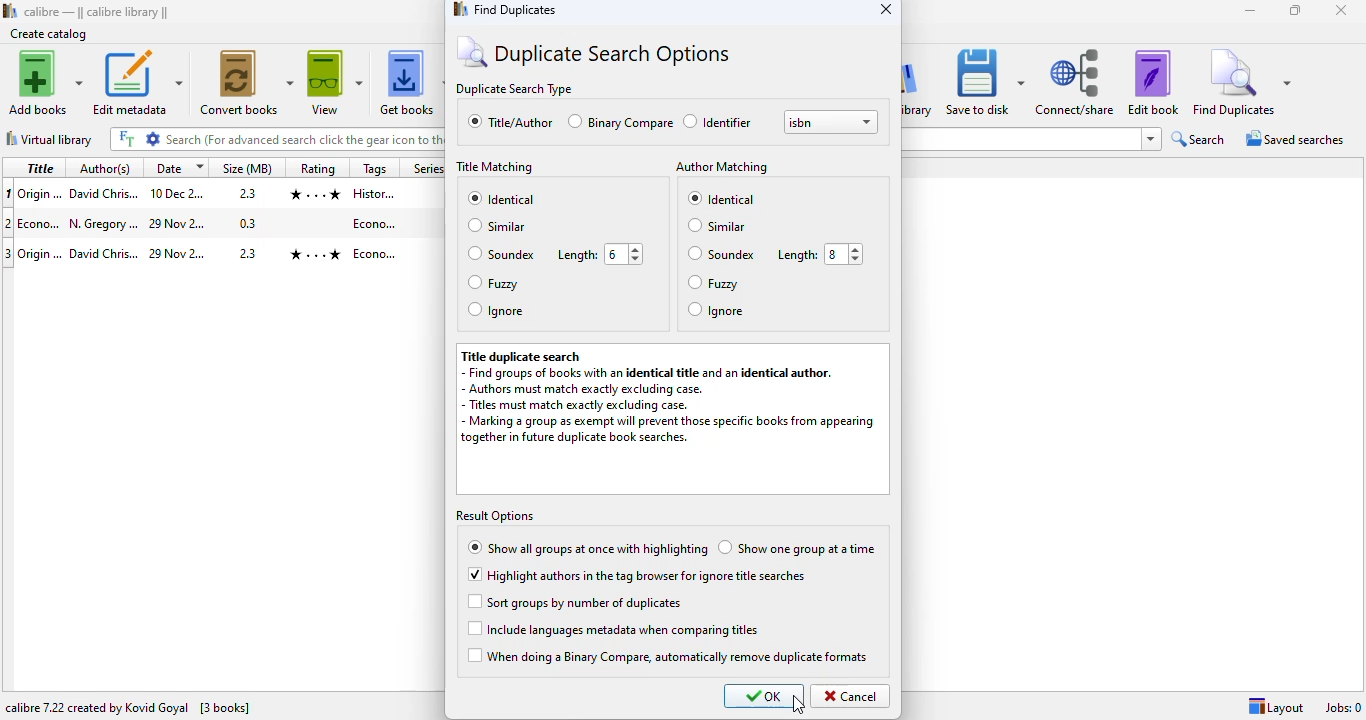 The width and height of the screenshot is (1366, 720). I want to click on date, so click(178, 168).